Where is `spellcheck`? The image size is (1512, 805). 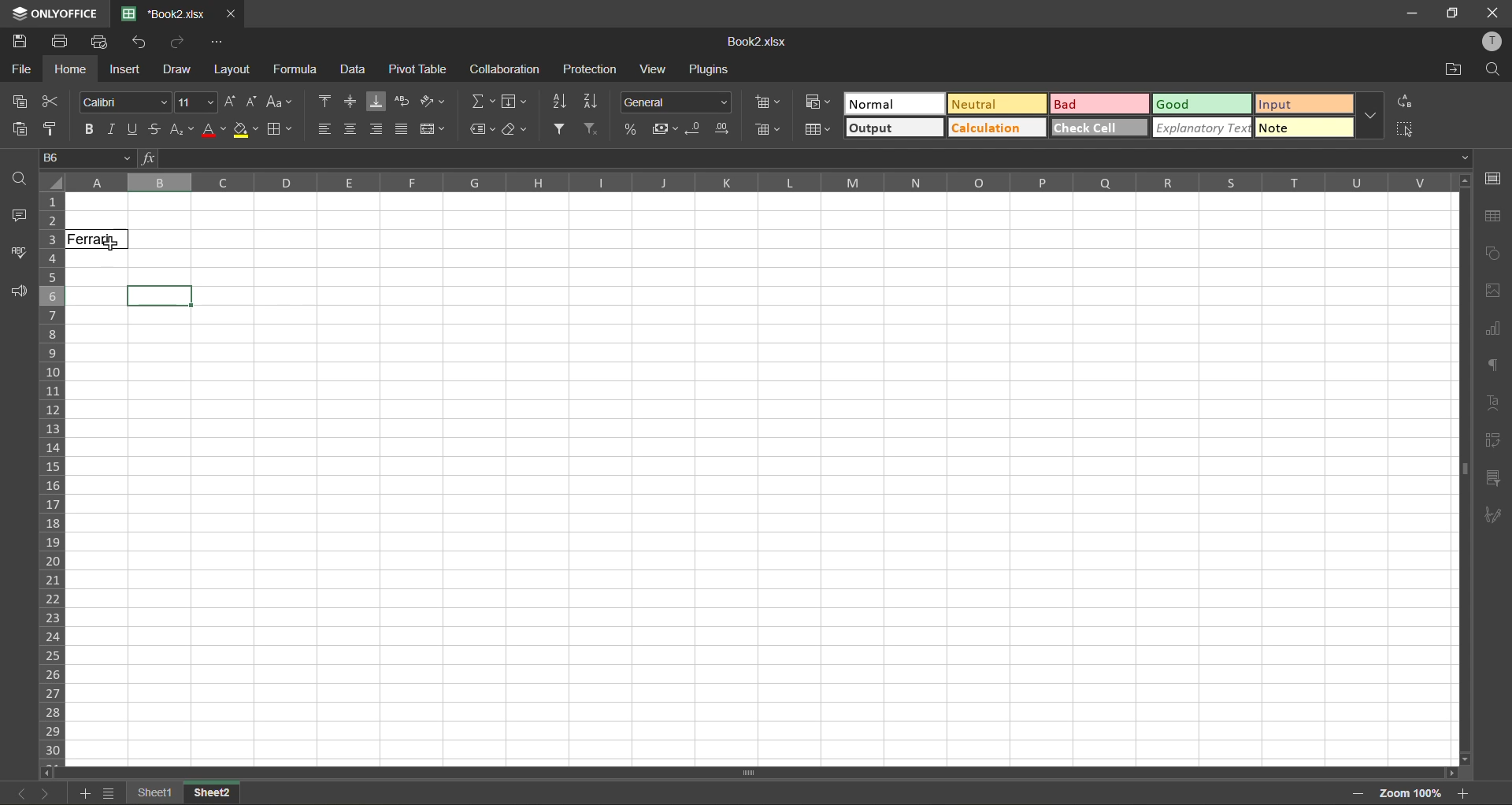 spellcheck is located at coordinates (15, 252).